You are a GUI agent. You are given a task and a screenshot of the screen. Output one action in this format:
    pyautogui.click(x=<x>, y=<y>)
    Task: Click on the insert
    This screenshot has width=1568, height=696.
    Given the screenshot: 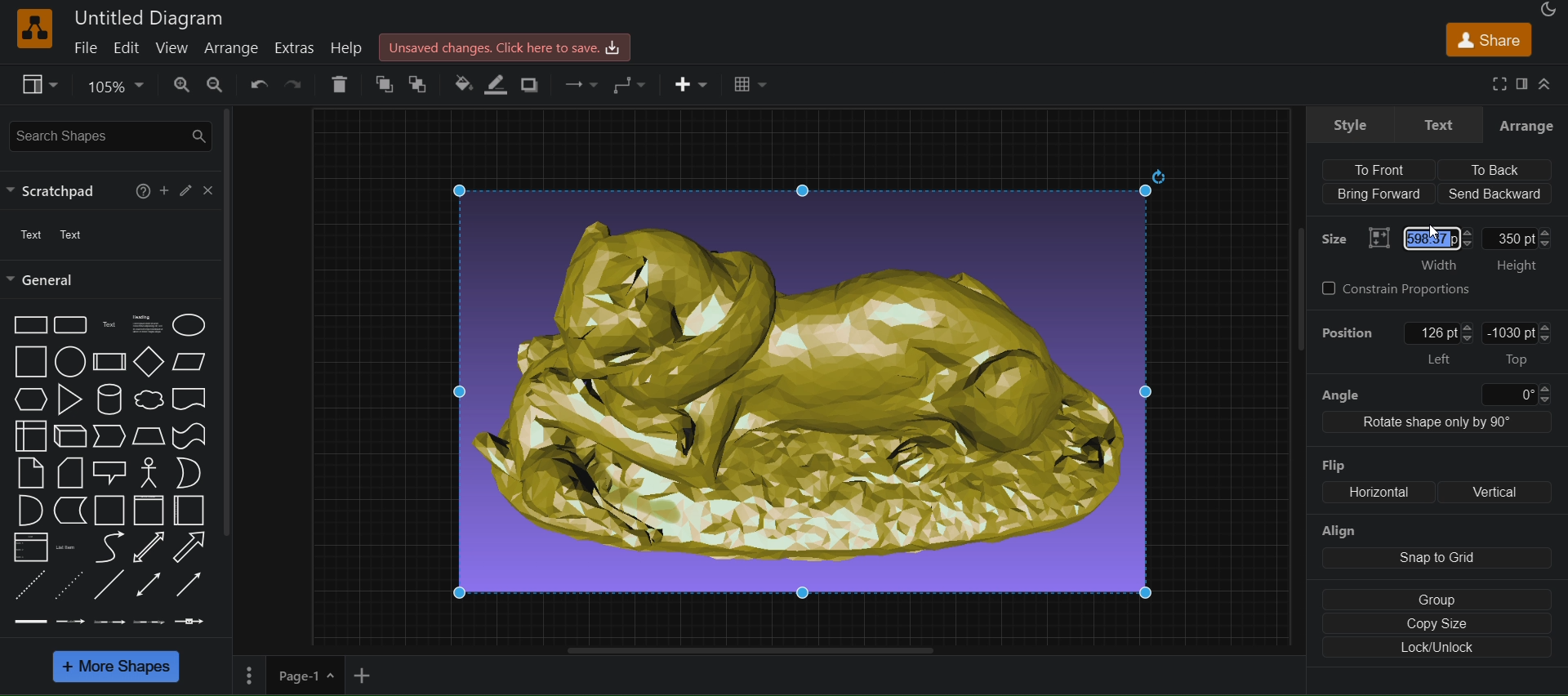 What is the action you would take?
    pyautogui.click(x=692, y=87)
    